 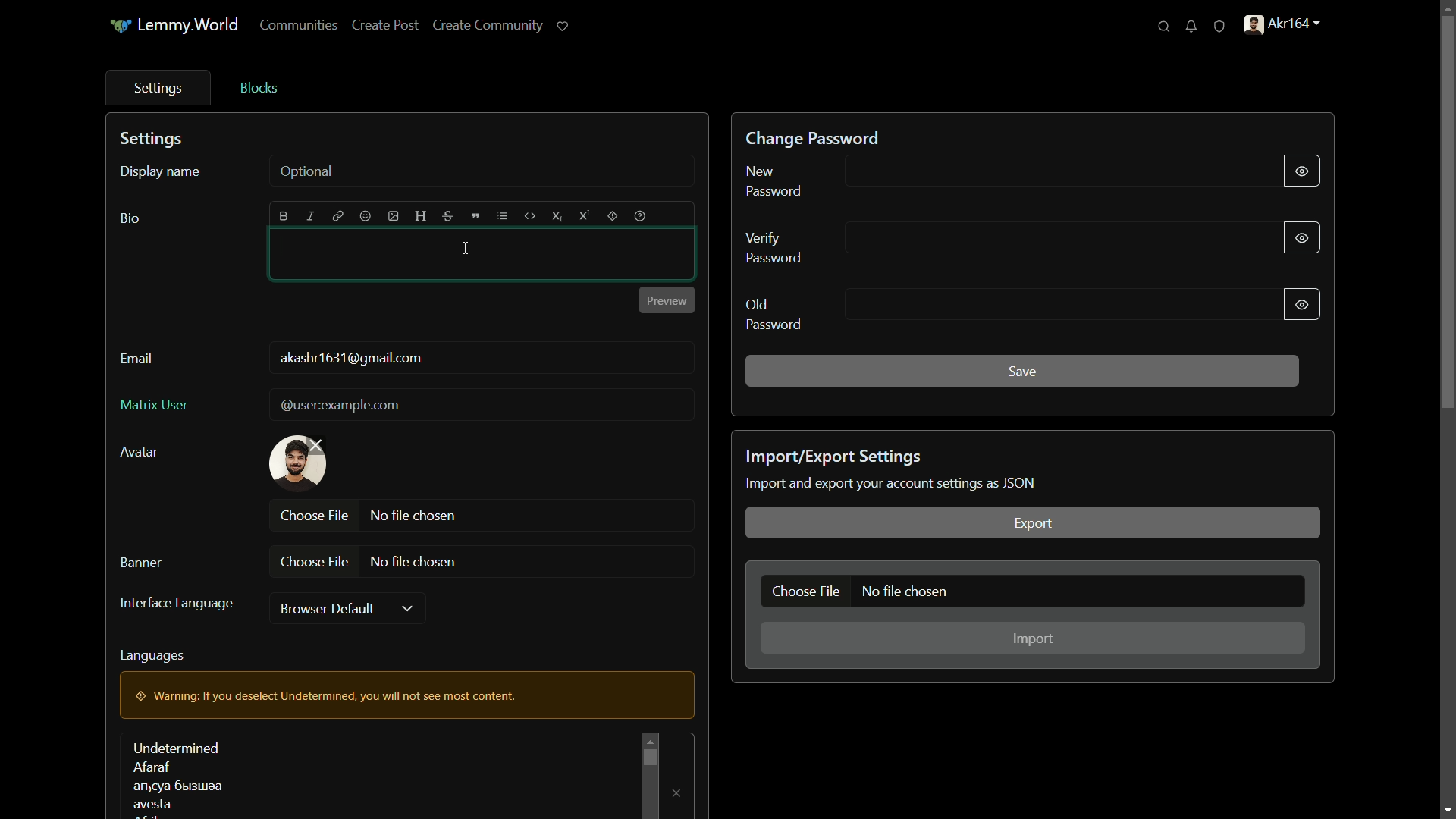 What do you see at coordinates (339, 215) in the screenshot?
I see `link` at bounding box center [339, 215].